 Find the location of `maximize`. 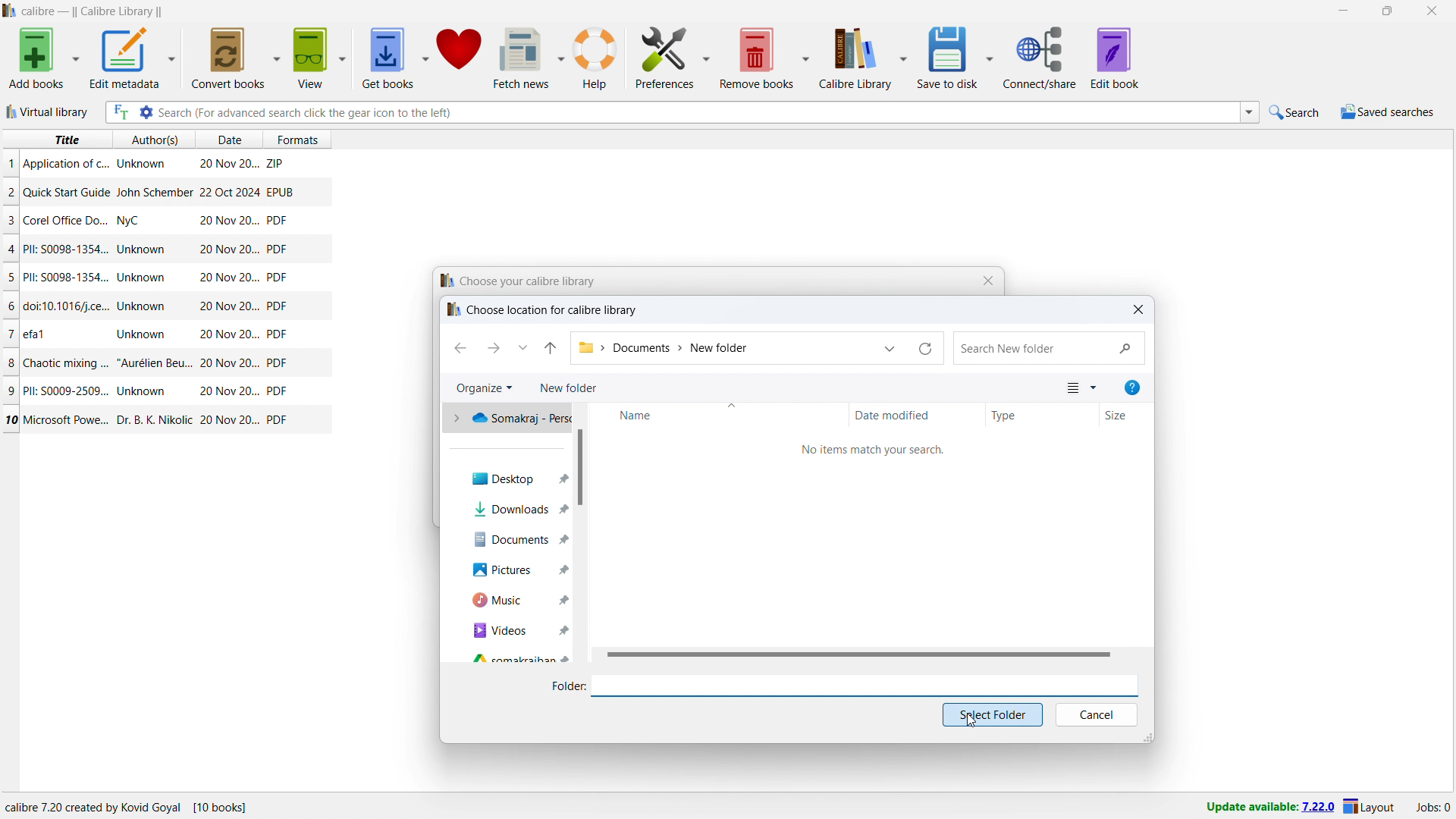

maximize is located at coordinates (1387, 11).